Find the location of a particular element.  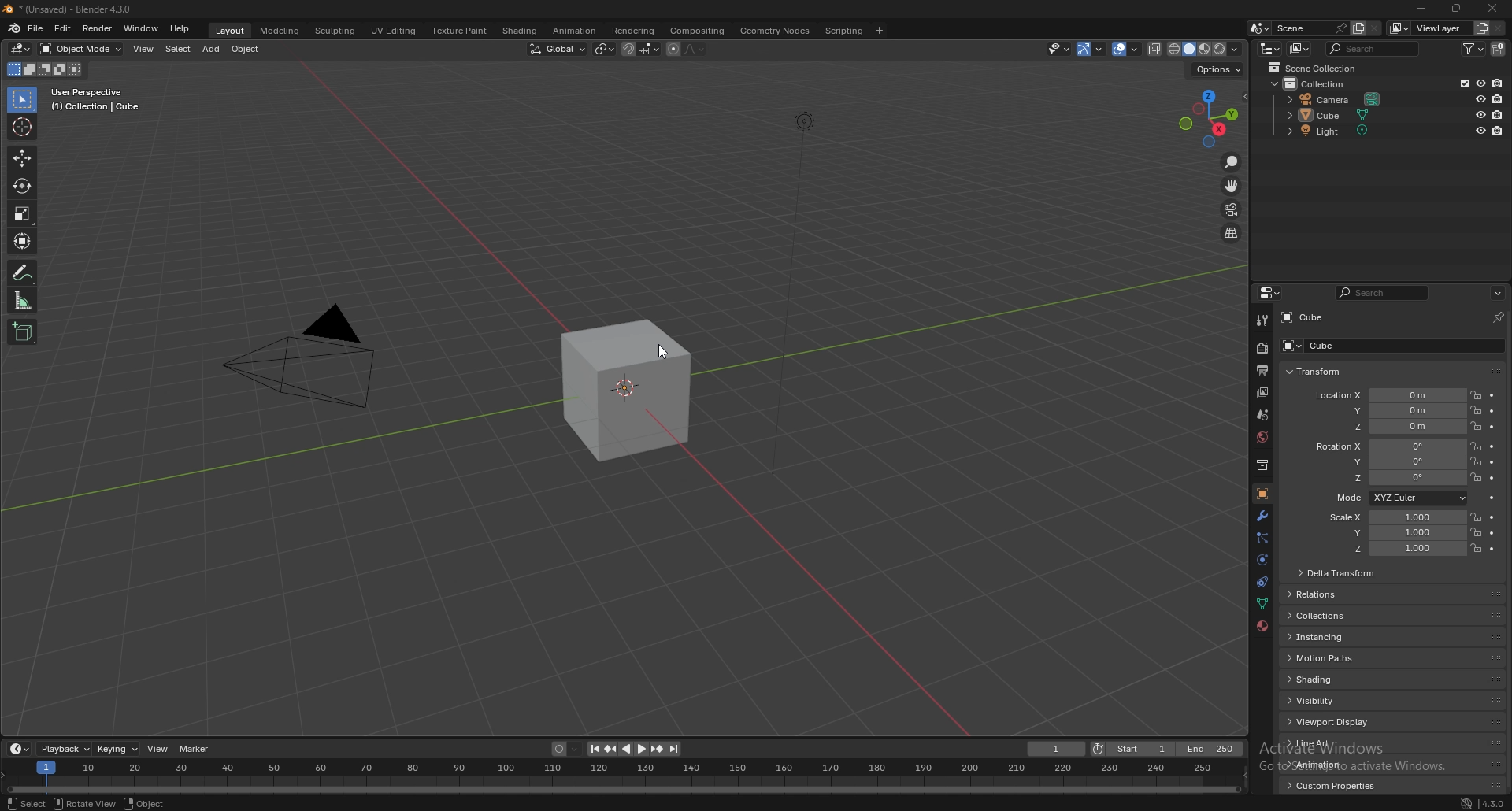

proportional editing falloff is located at coordinates (695, 49).